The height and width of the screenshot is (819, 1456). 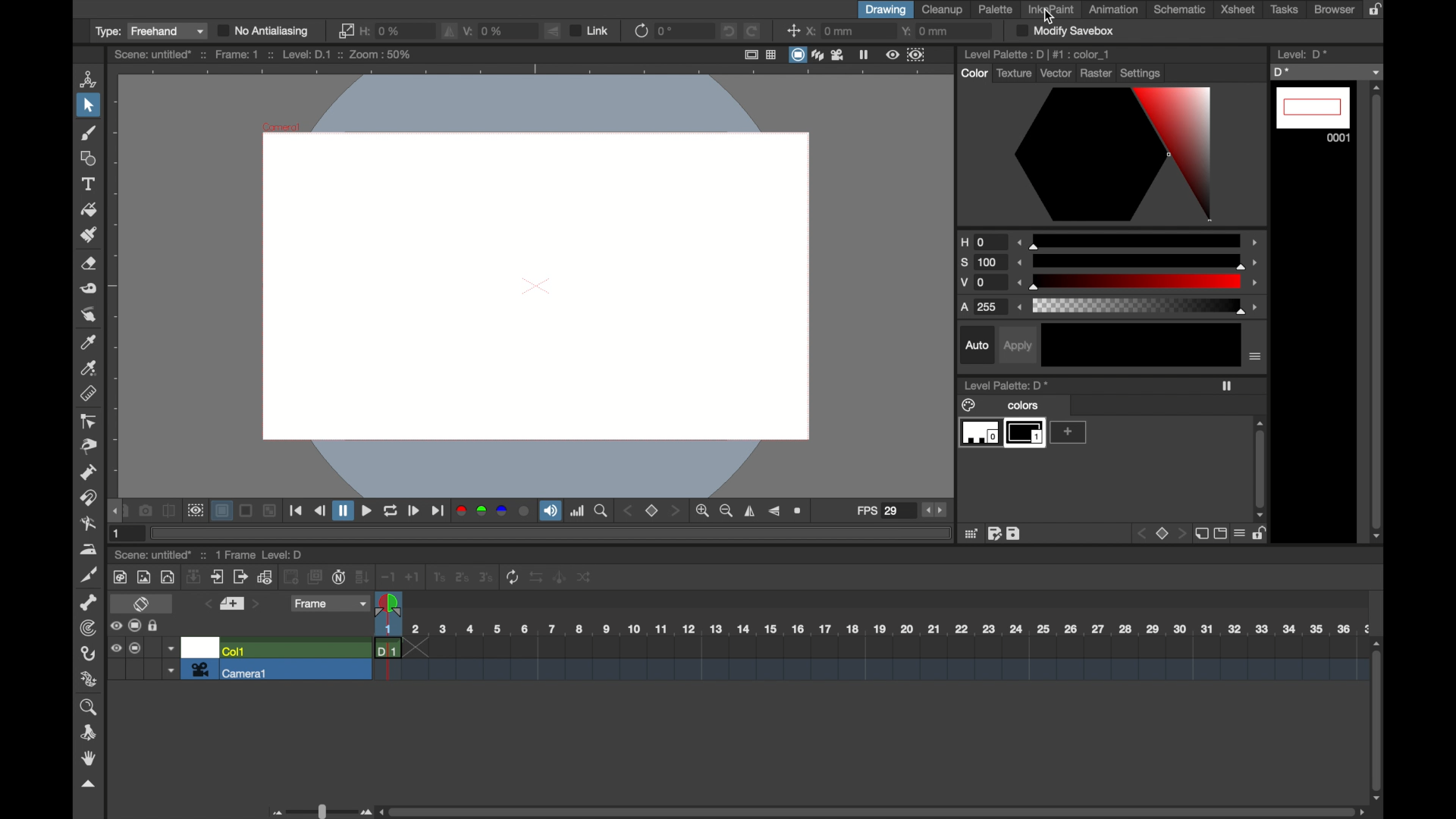 What do you see at coordinates (240, 577) in the screenshot?
I see `forward` at bounding box center [240, 577].